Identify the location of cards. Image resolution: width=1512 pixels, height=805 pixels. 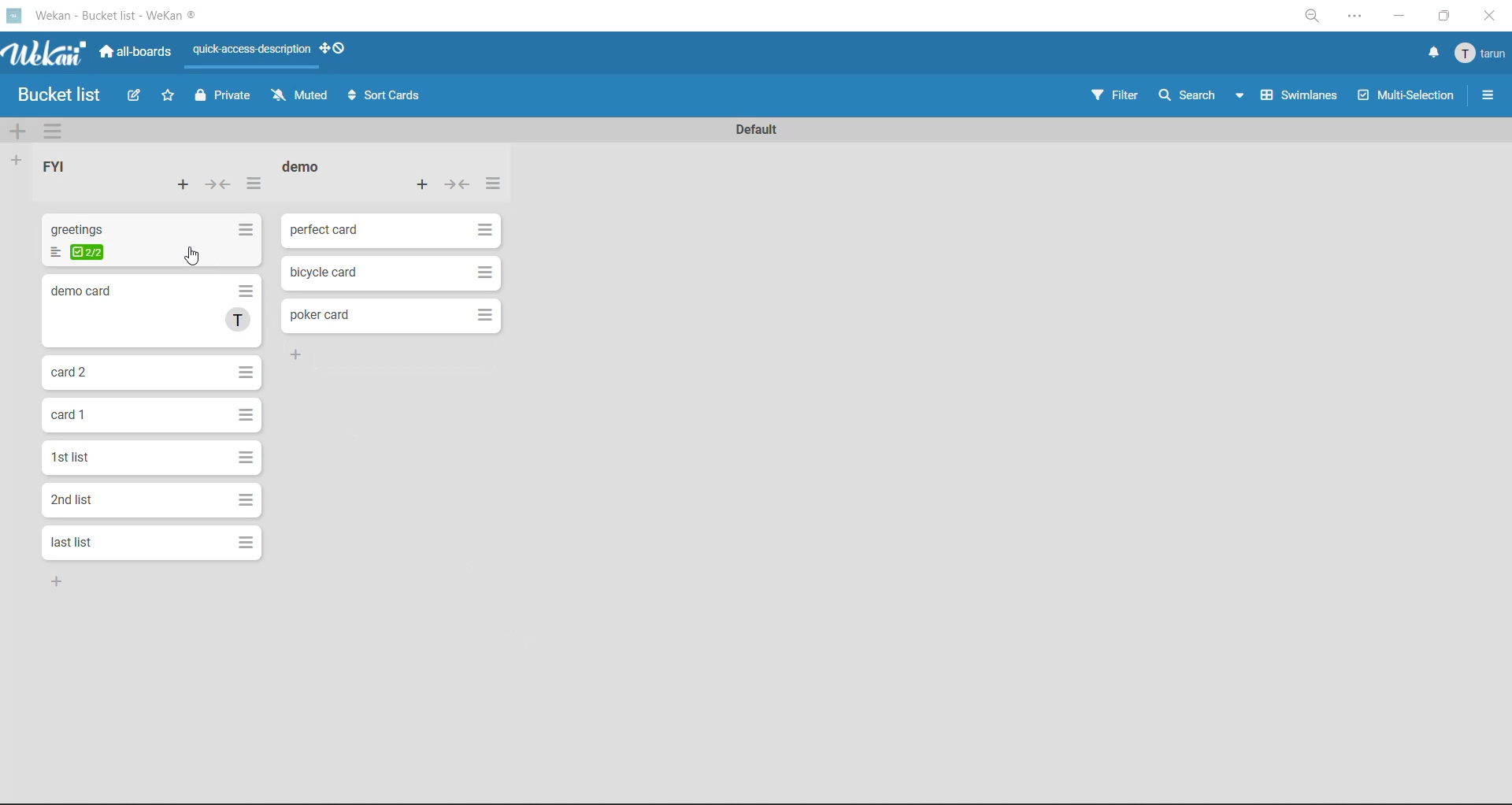
(150, 417).